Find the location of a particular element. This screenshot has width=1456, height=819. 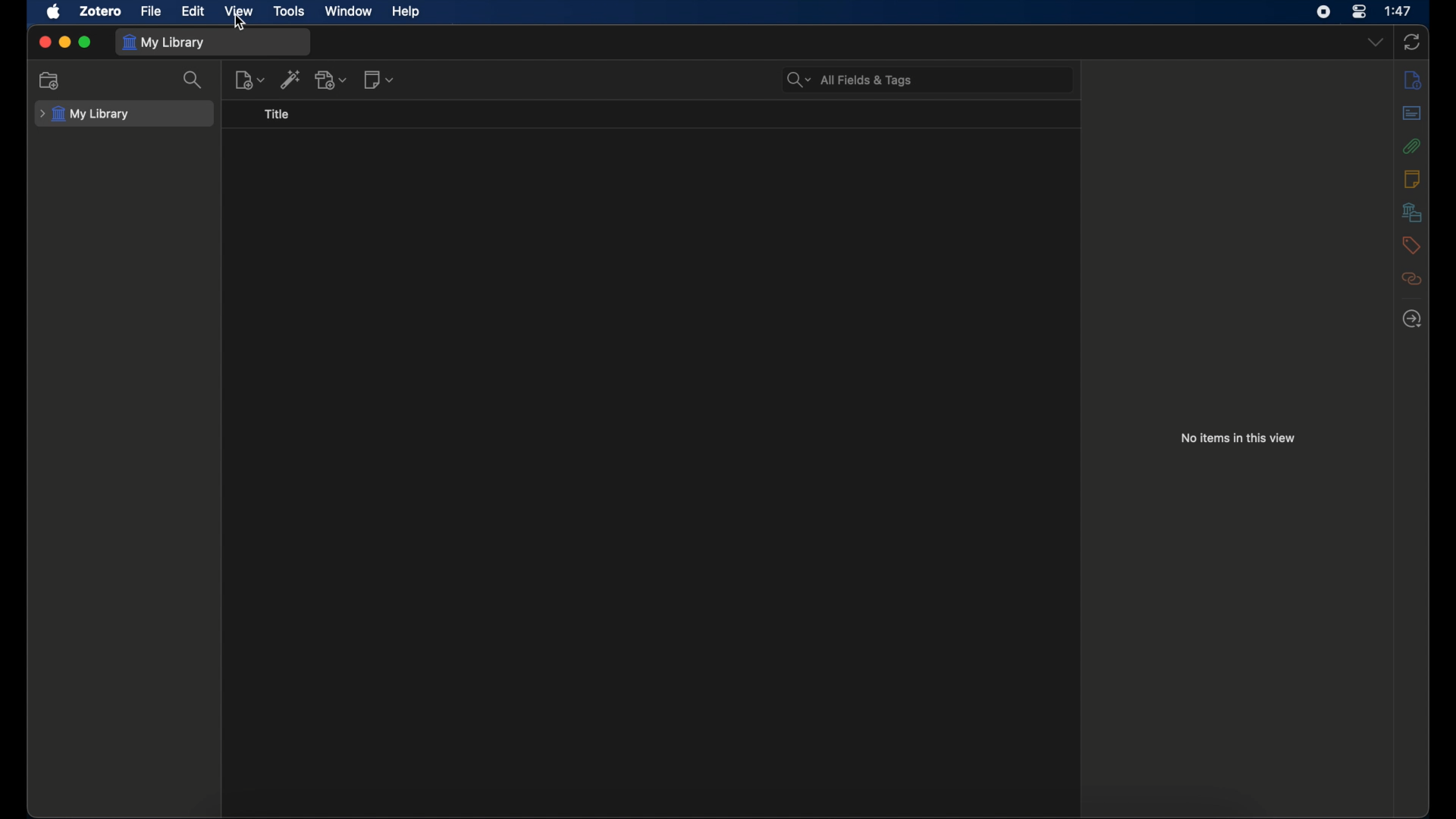

libraries is located at coordinates (1412, 212).